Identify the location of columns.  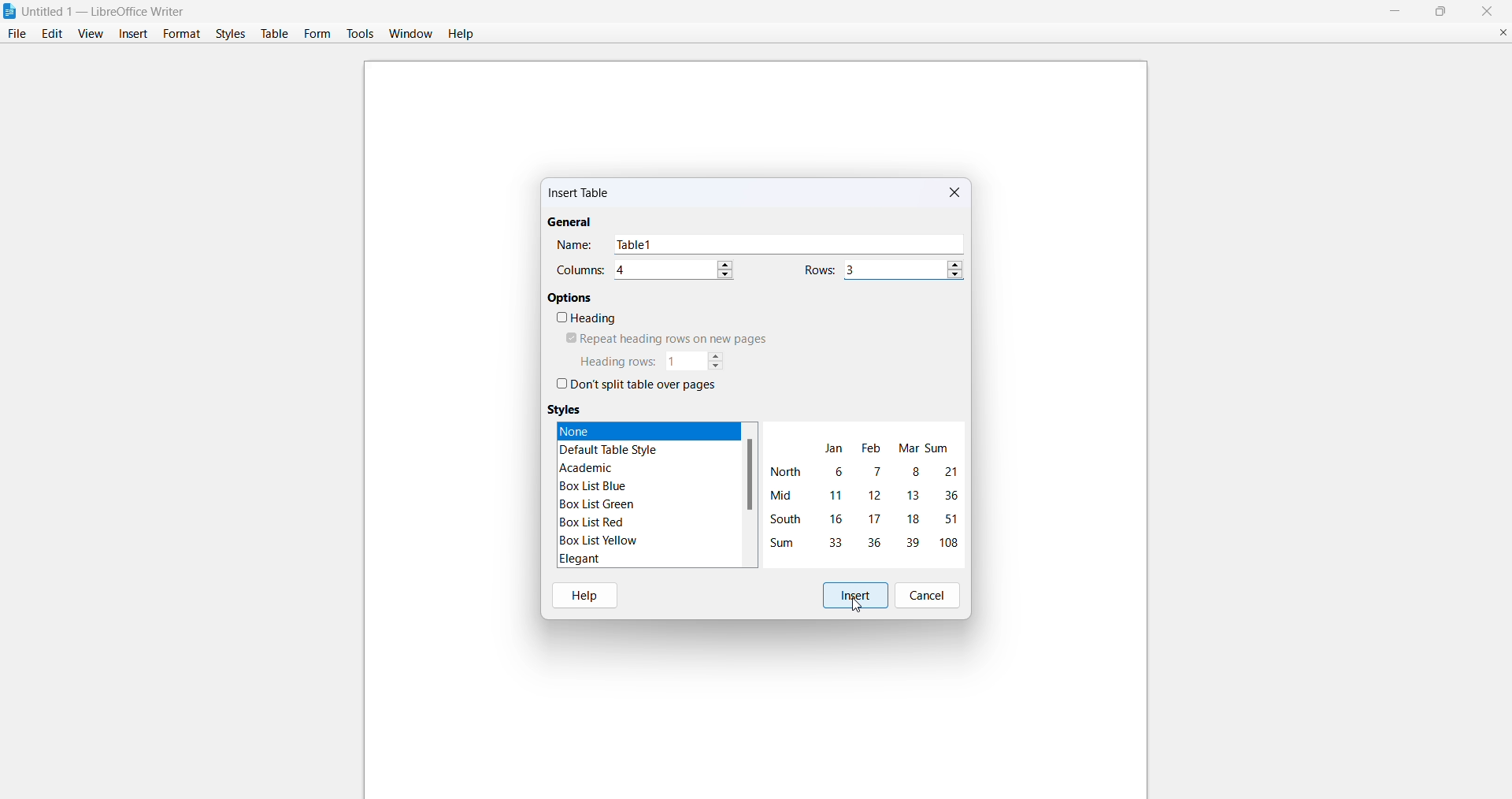
(580, 270).